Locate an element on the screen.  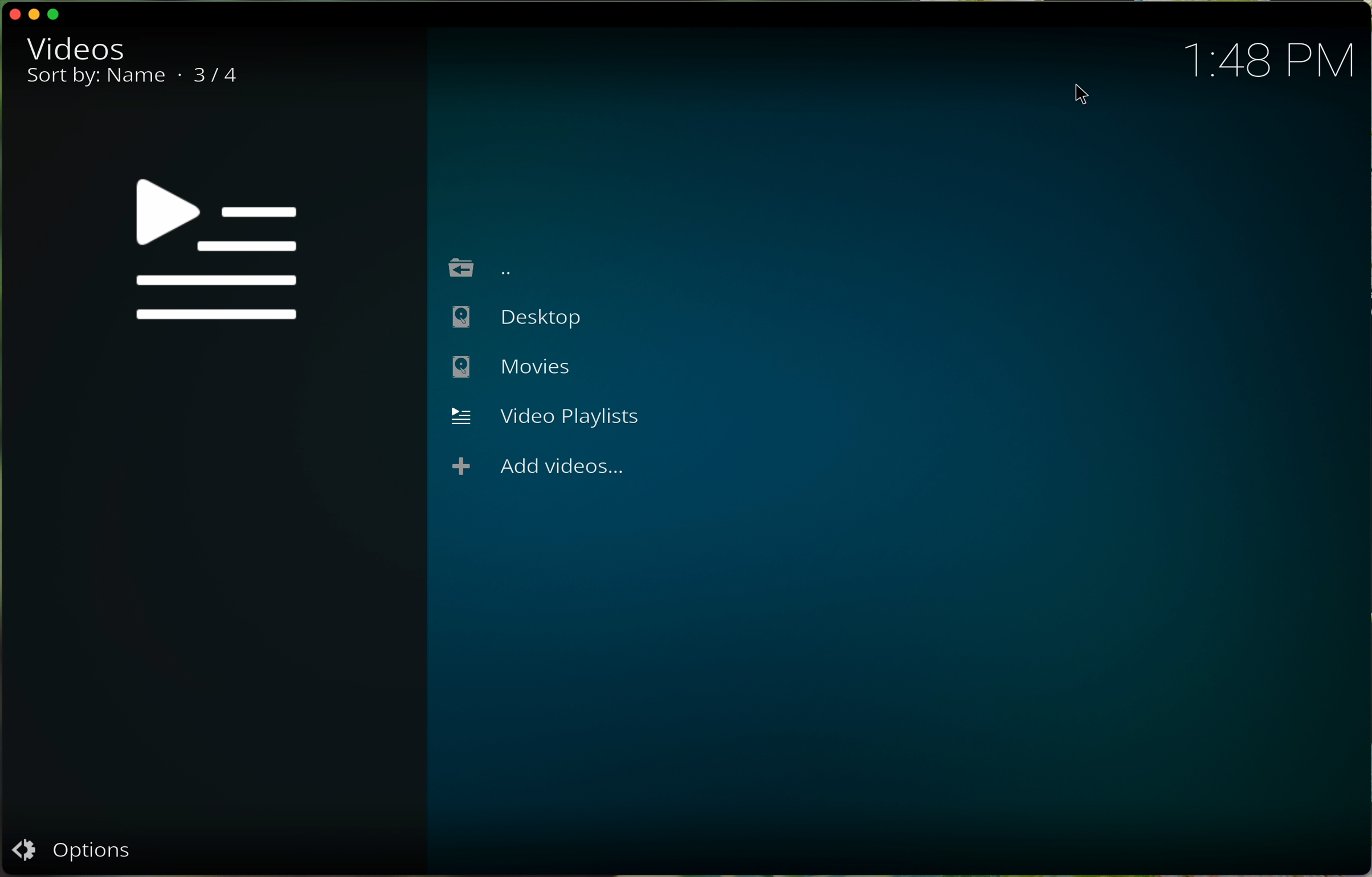
minimise is located at coordinates (36, 13).